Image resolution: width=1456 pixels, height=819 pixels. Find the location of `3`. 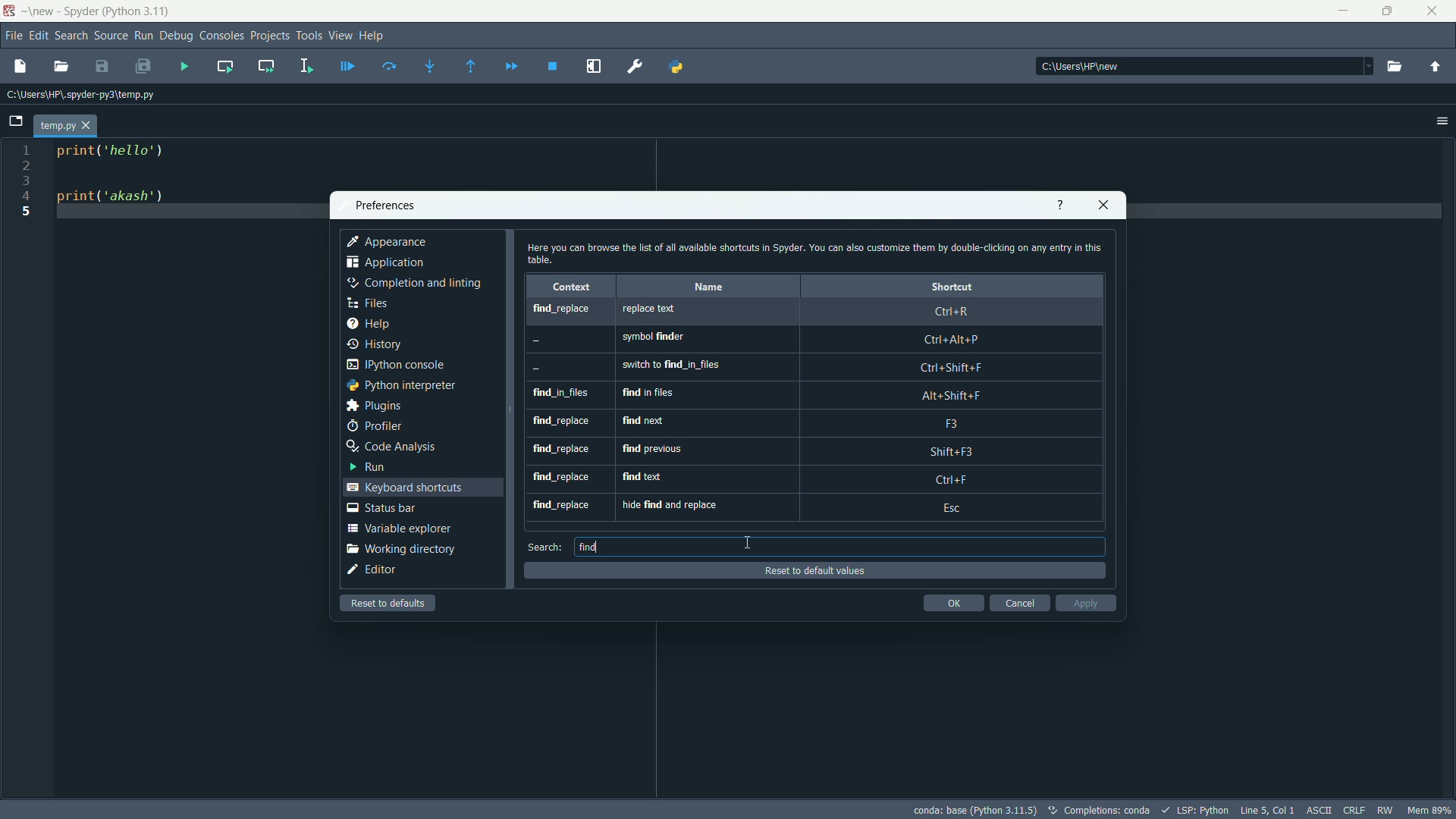

3 is located at coordinates (29, 184).